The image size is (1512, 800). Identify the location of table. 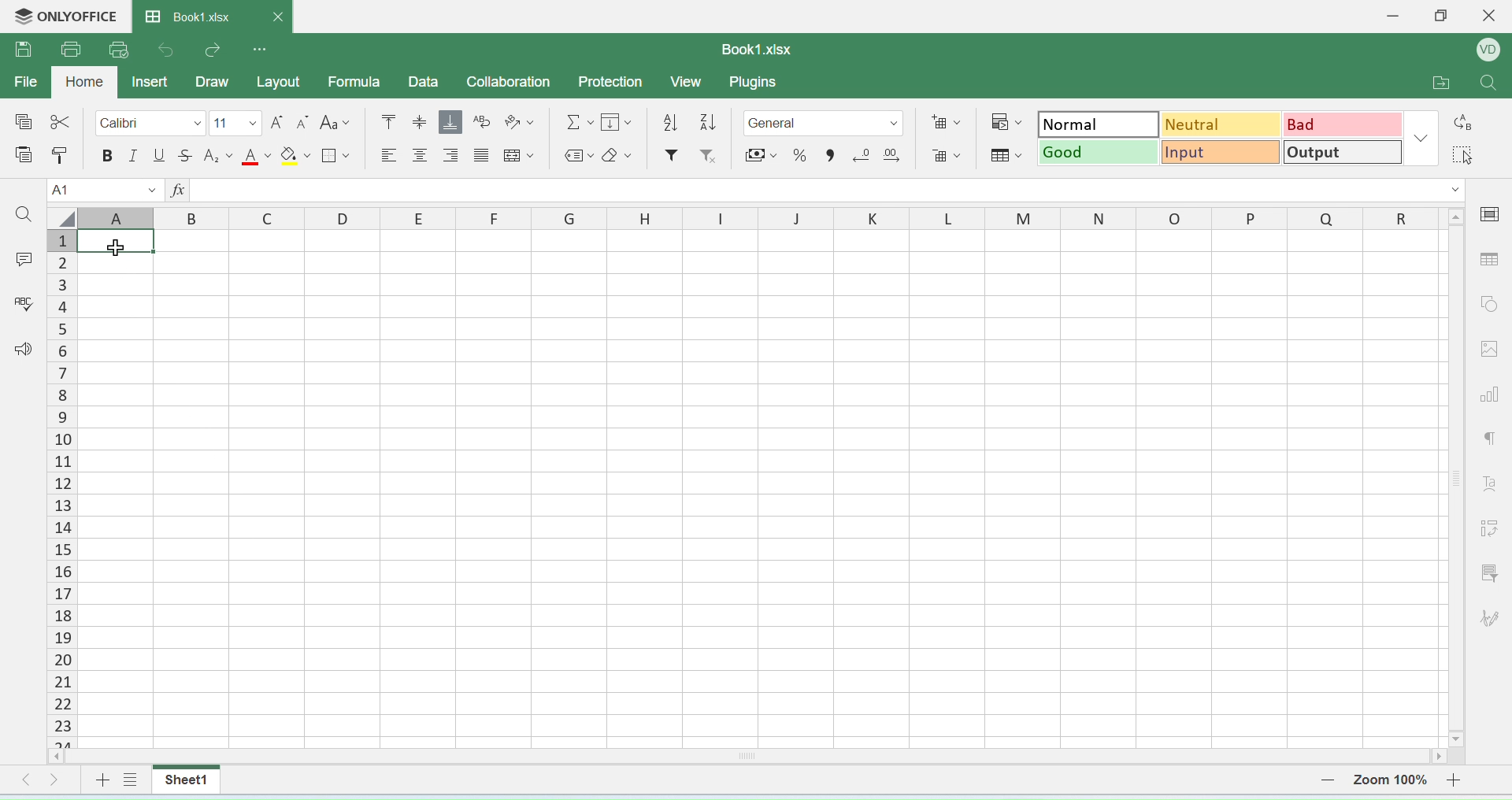
(1492, 264).